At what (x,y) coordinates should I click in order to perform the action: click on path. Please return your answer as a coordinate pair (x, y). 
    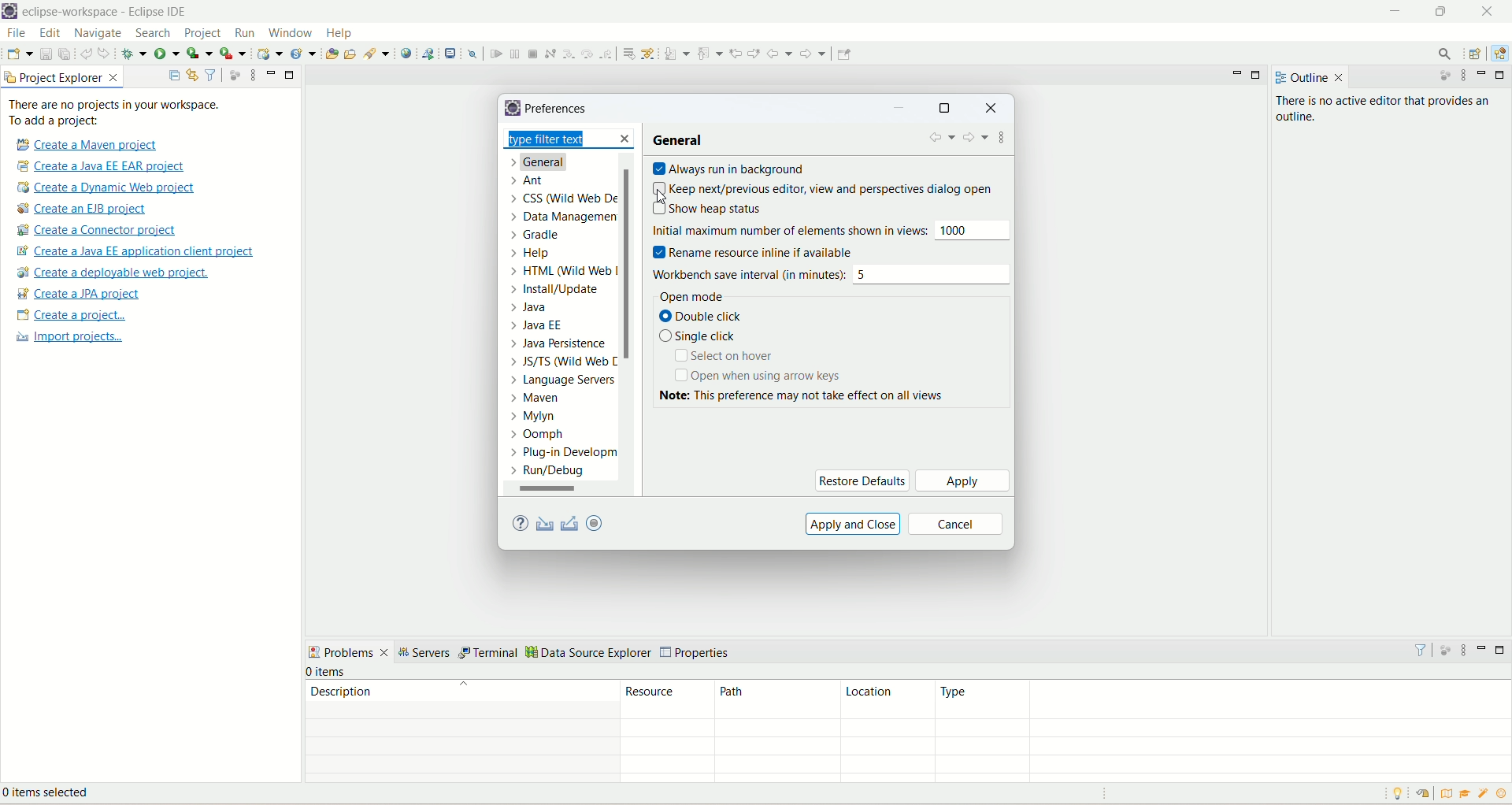
    Looking at the image, I should click on (773, 700).